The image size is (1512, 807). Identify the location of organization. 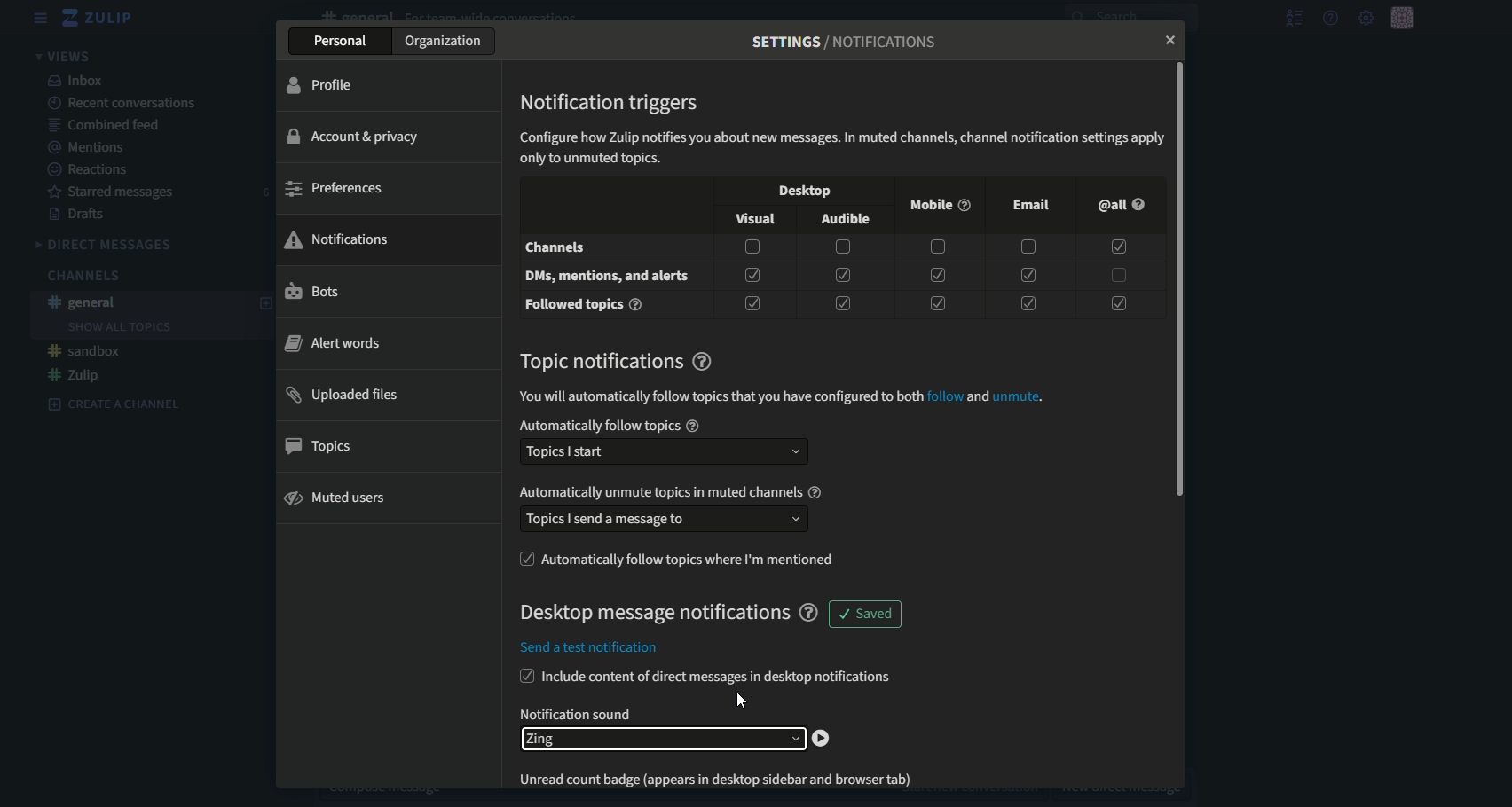
(447, 42).